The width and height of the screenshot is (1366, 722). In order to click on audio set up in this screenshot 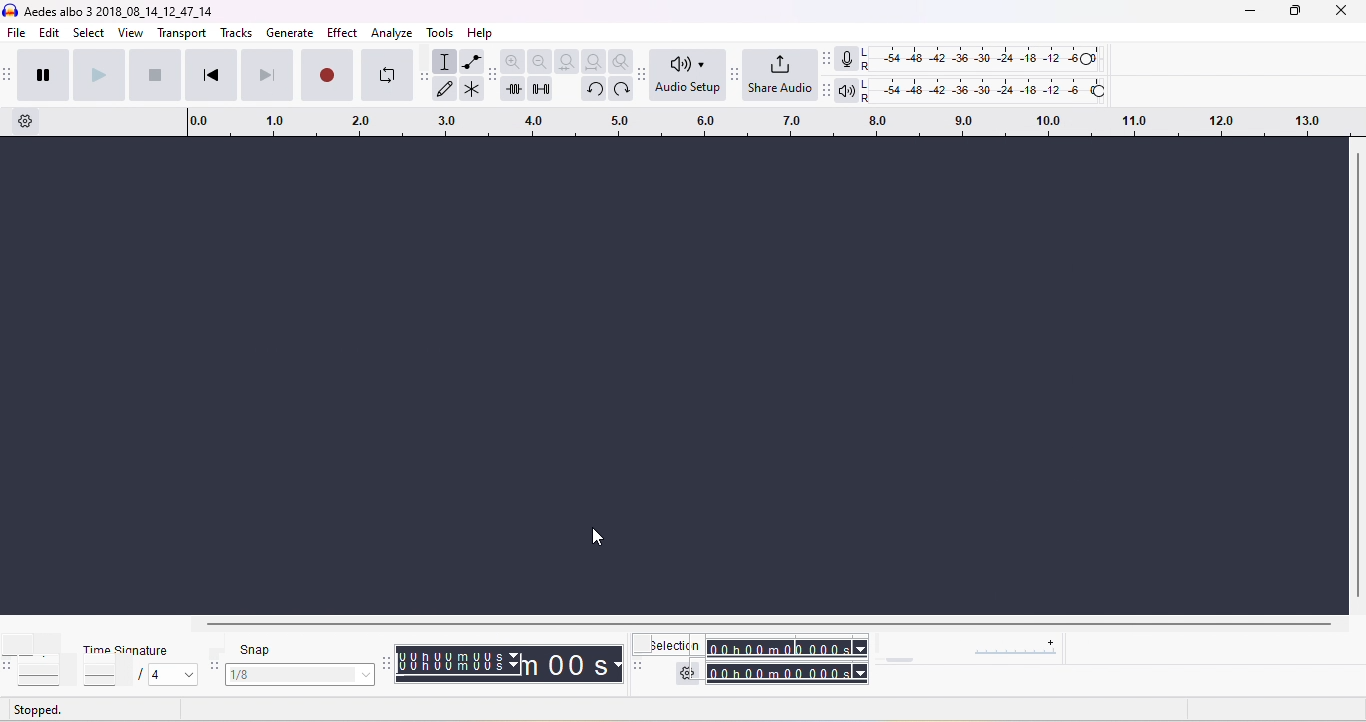, I will do `click(690, 75)`.